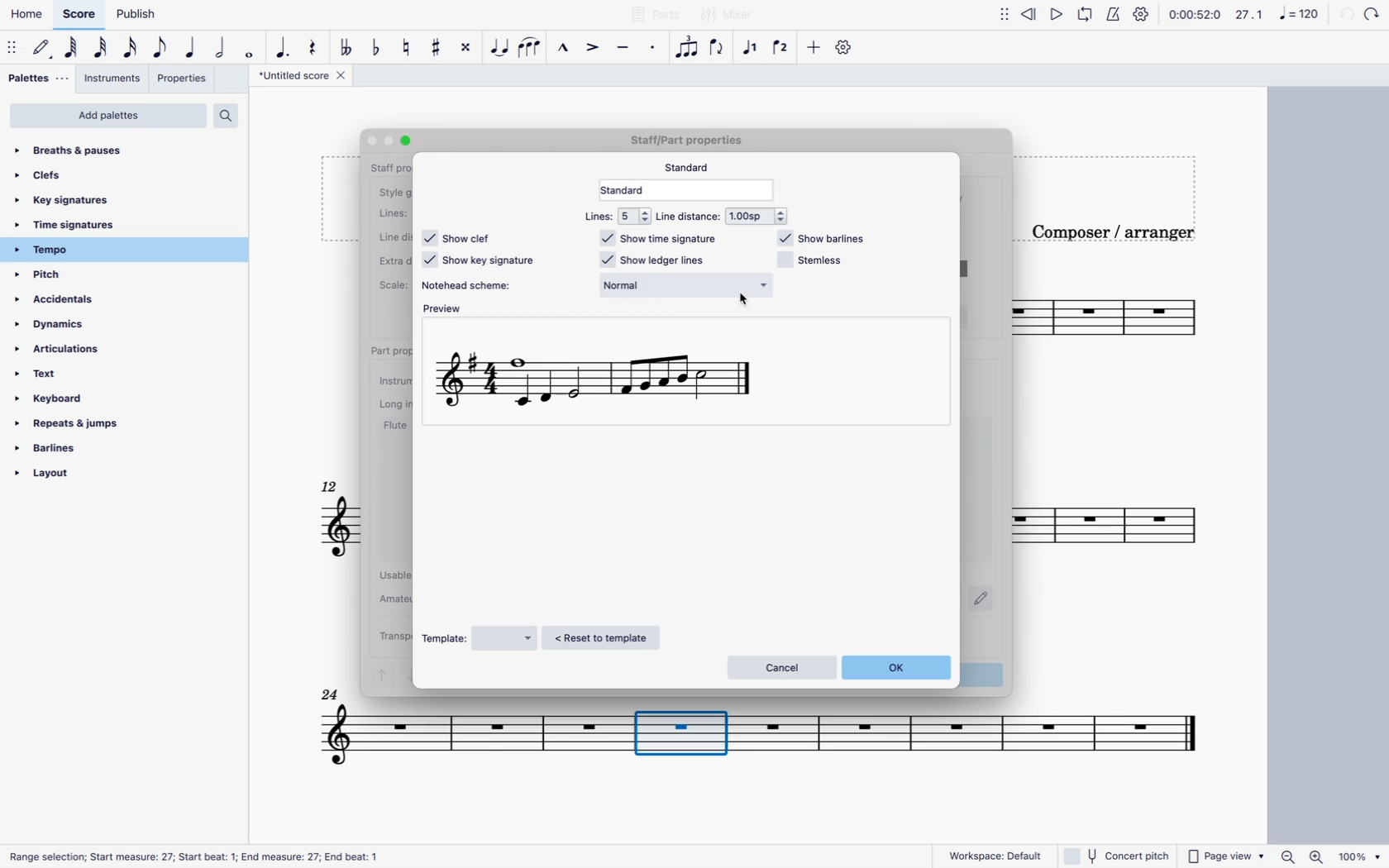 This screenshot has height=868, width=1389. Describe the element at coordinates (766, 742) in the screenshot. I see `score` at that location.